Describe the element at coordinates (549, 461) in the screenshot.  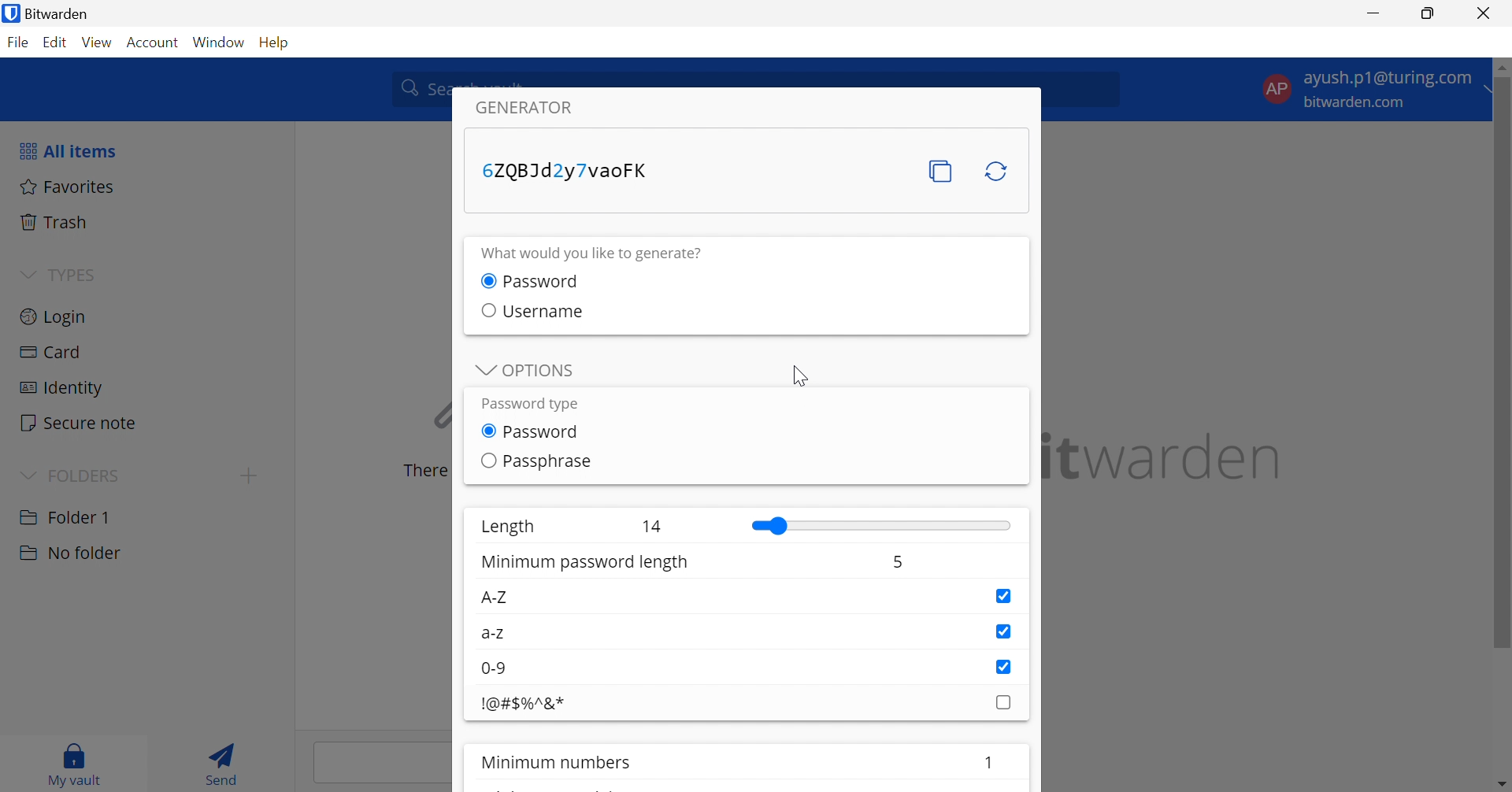
I see `Passphrase` at that location.